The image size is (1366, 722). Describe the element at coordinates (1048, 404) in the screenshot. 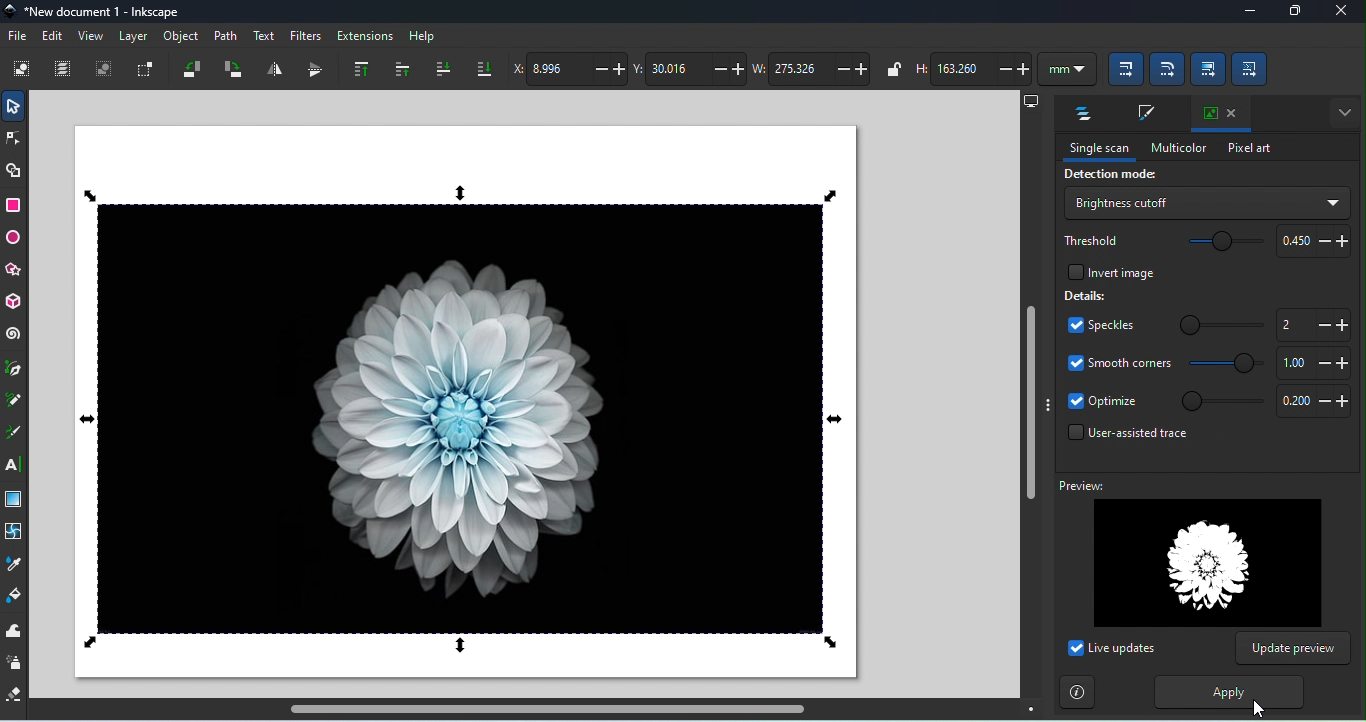

I see `toggle panel` at that location.